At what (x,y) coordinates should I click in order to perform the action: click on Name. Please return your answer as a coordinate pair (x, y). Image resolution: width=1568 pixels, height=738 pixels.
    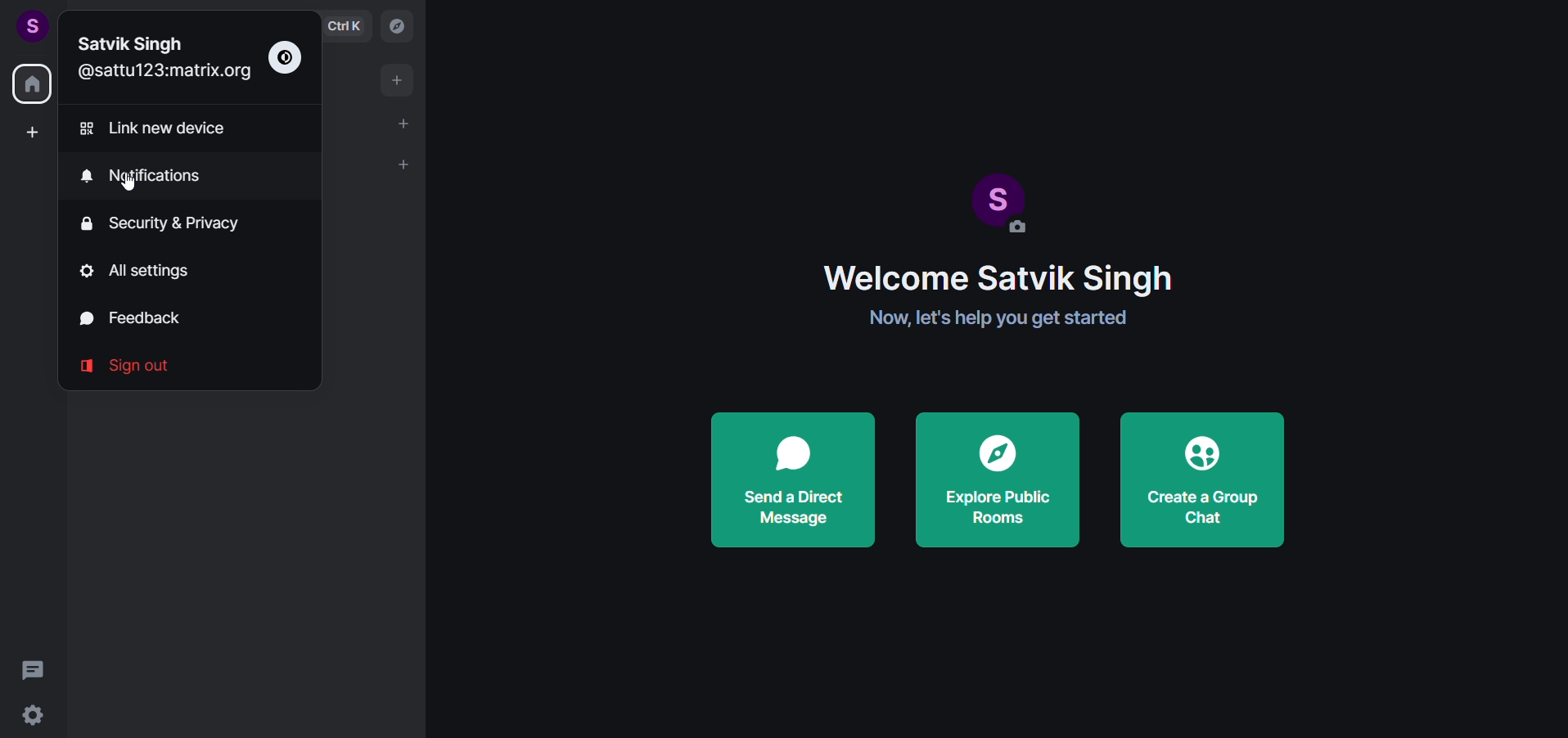
    Looking at the image, I should click on (136, 45).